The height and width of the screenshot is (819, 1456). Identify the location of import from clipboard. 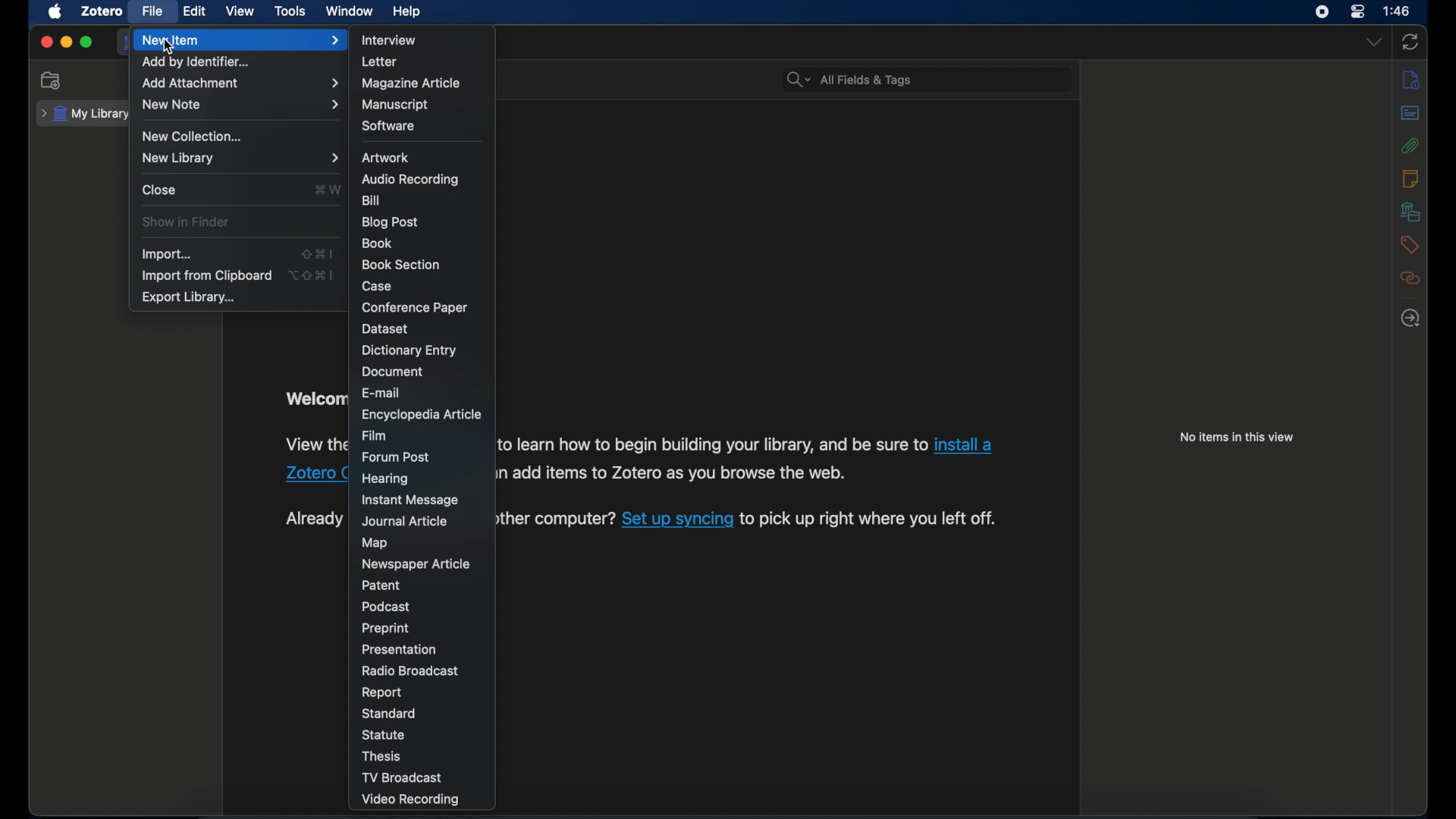
(206, 276).